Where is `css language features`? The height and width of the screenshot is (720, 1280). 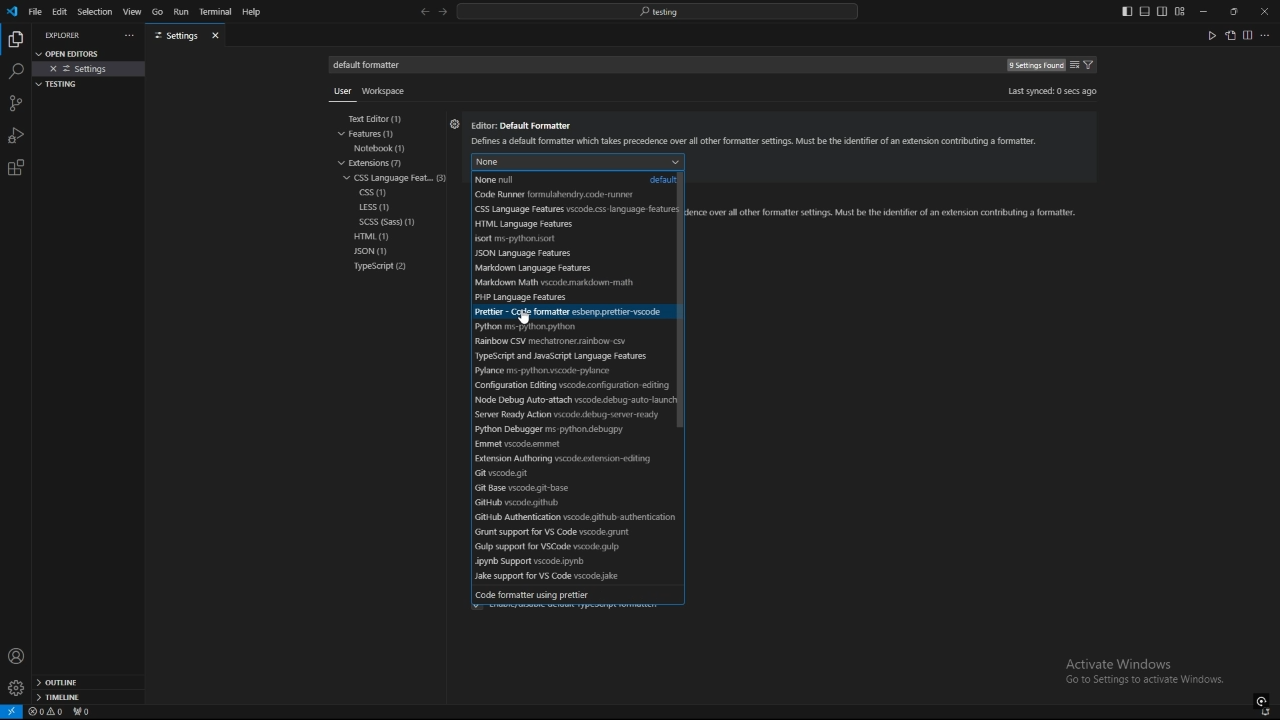
css language features is located at coordinates (572, 209).